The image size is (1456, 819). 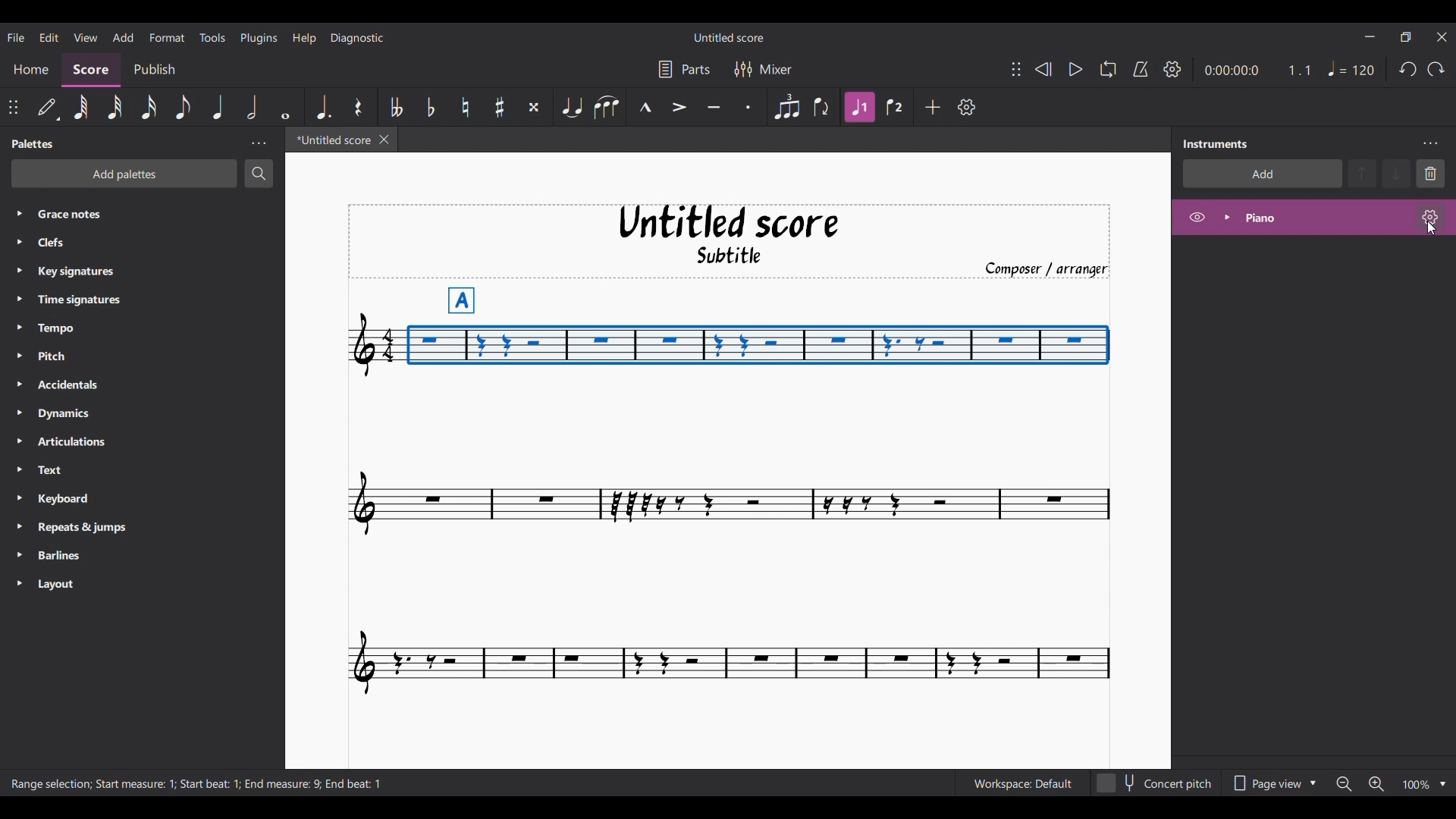 I want to click on Time signatures, so click(x=93, y=299).